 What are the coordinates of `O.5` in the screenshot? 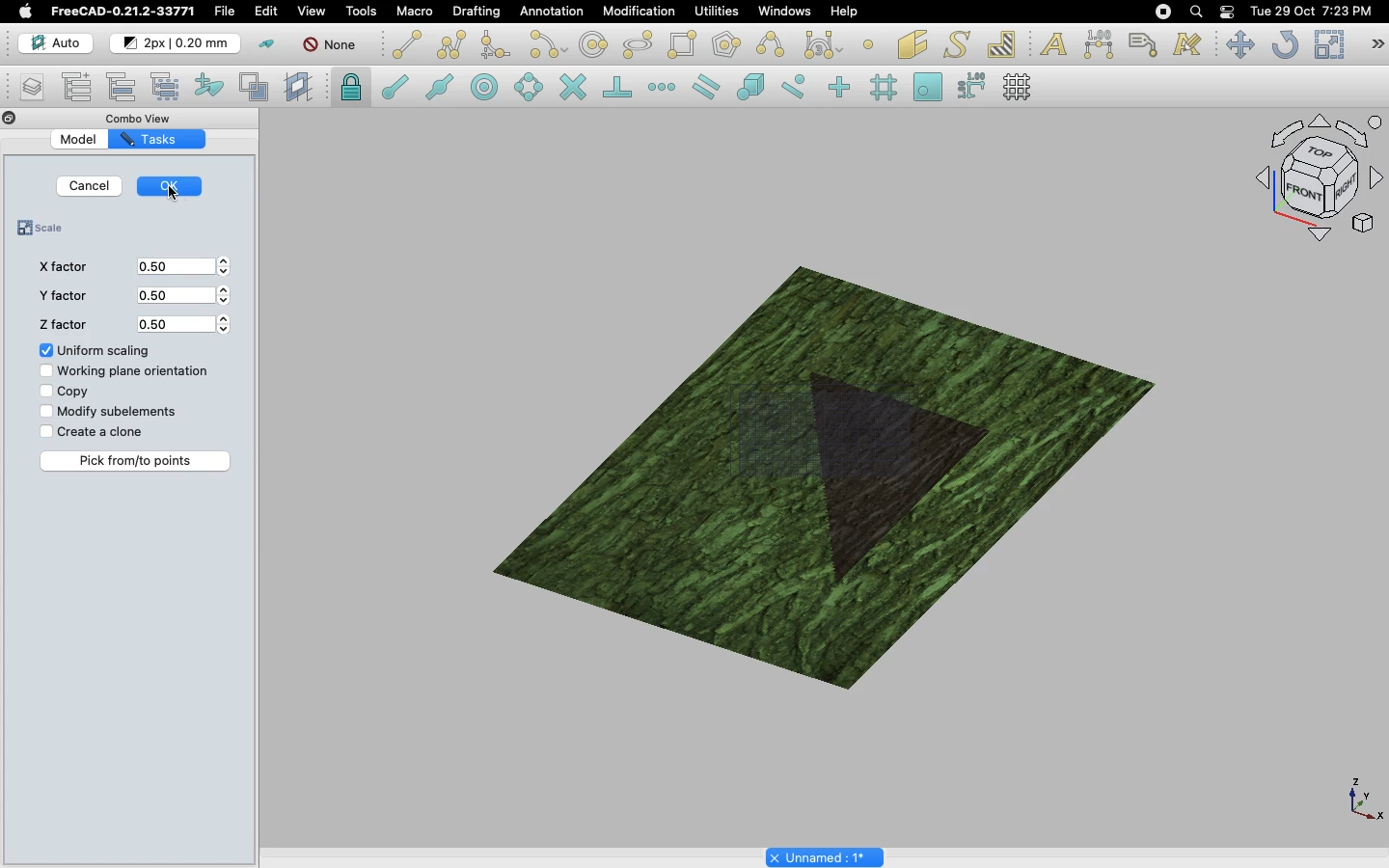 It's located at (184, 267).